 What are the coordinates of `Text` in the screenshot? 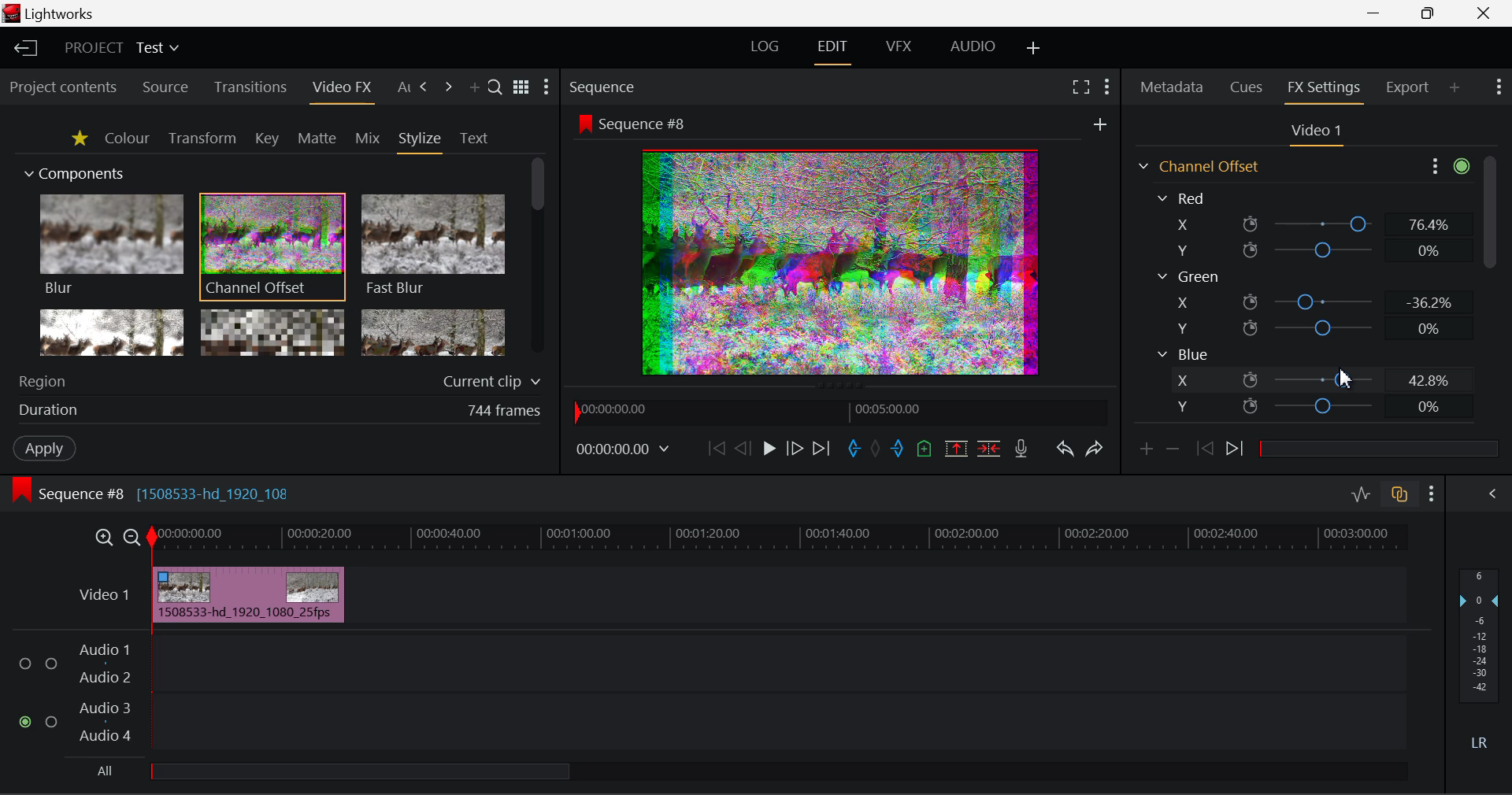 It's located at (473, 139).